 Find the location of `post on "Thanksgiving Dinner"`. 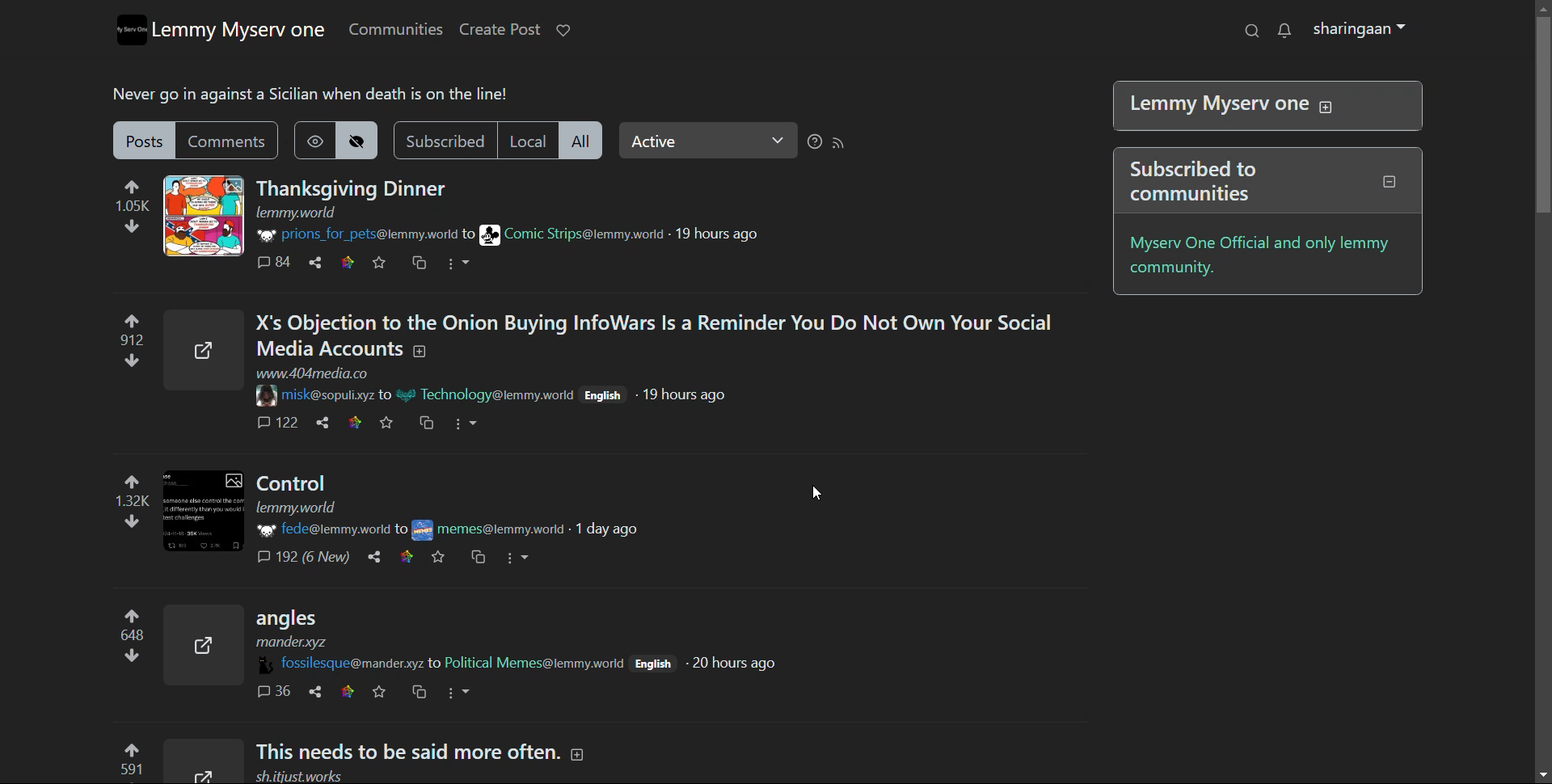

post on "Thanksgiving Dinner" is located at coordinates (353, 189).